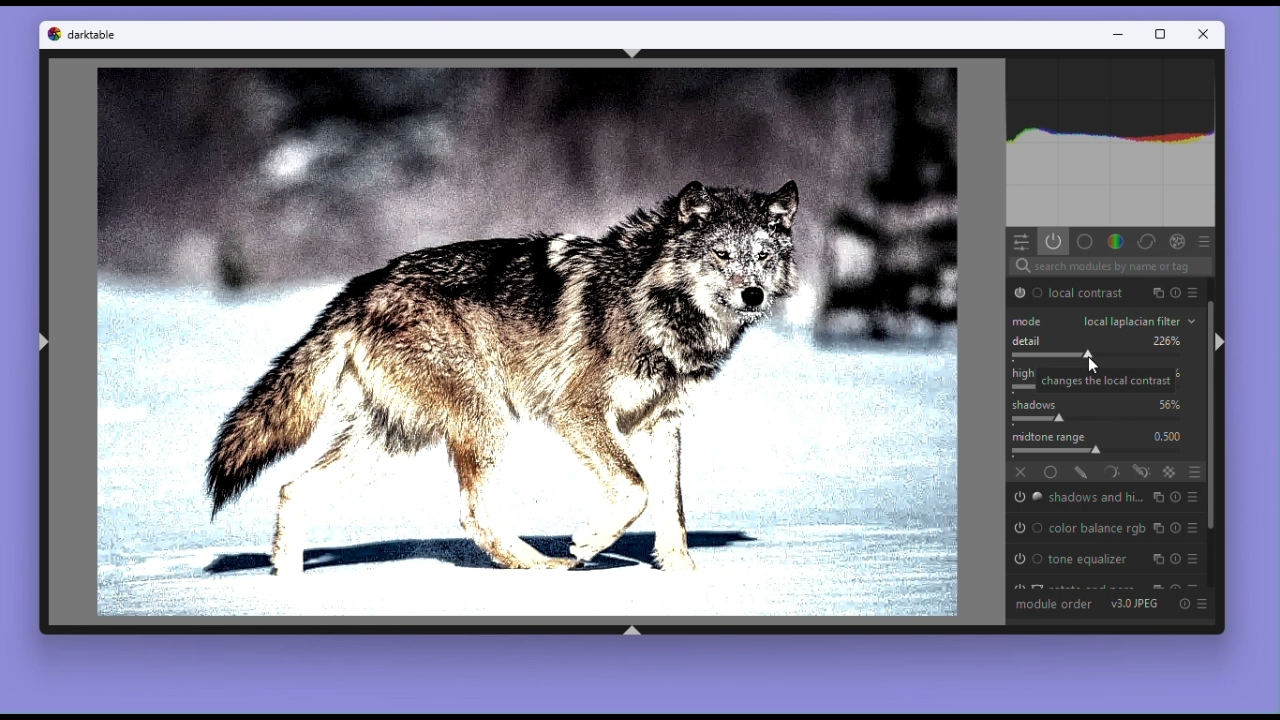  Describe the element at coordinates (631, 631) in the screenshot. I see `shift+ctrl+b` at that location.